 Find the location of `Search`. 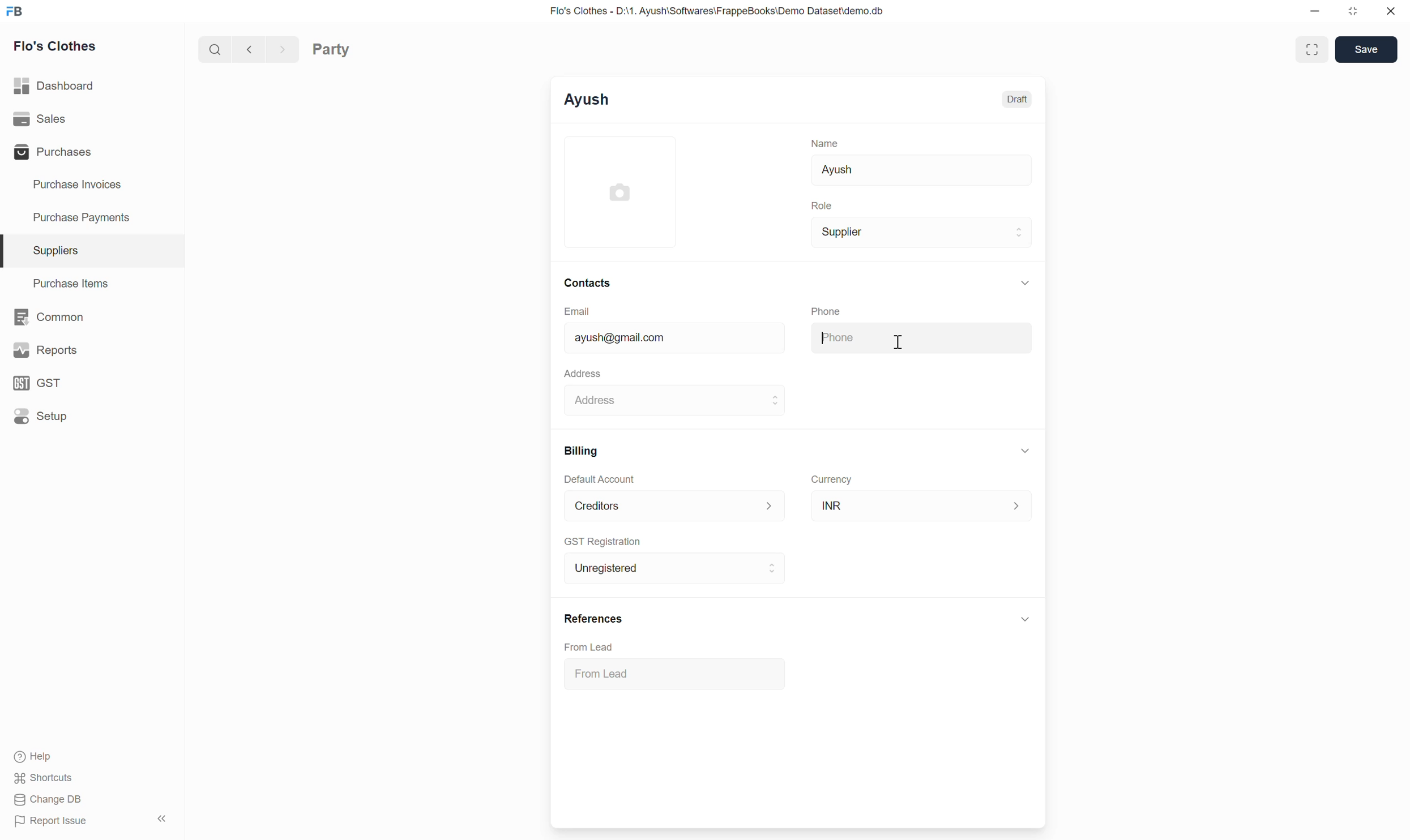

Search is located at coordinates (215, 49).